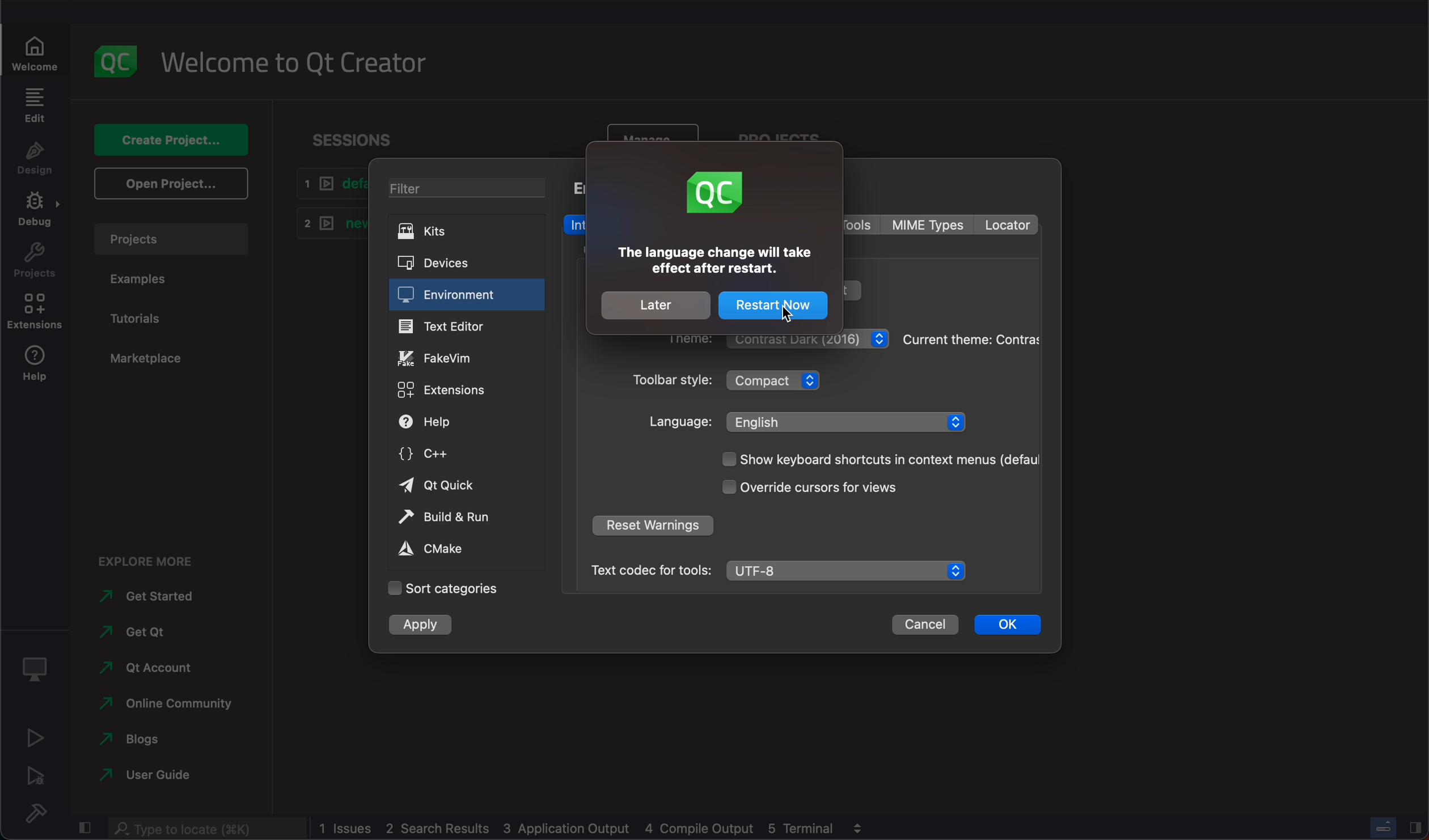 This screenshot has height=840, width=1429. I want to click on theme menu, so click(807, 339).